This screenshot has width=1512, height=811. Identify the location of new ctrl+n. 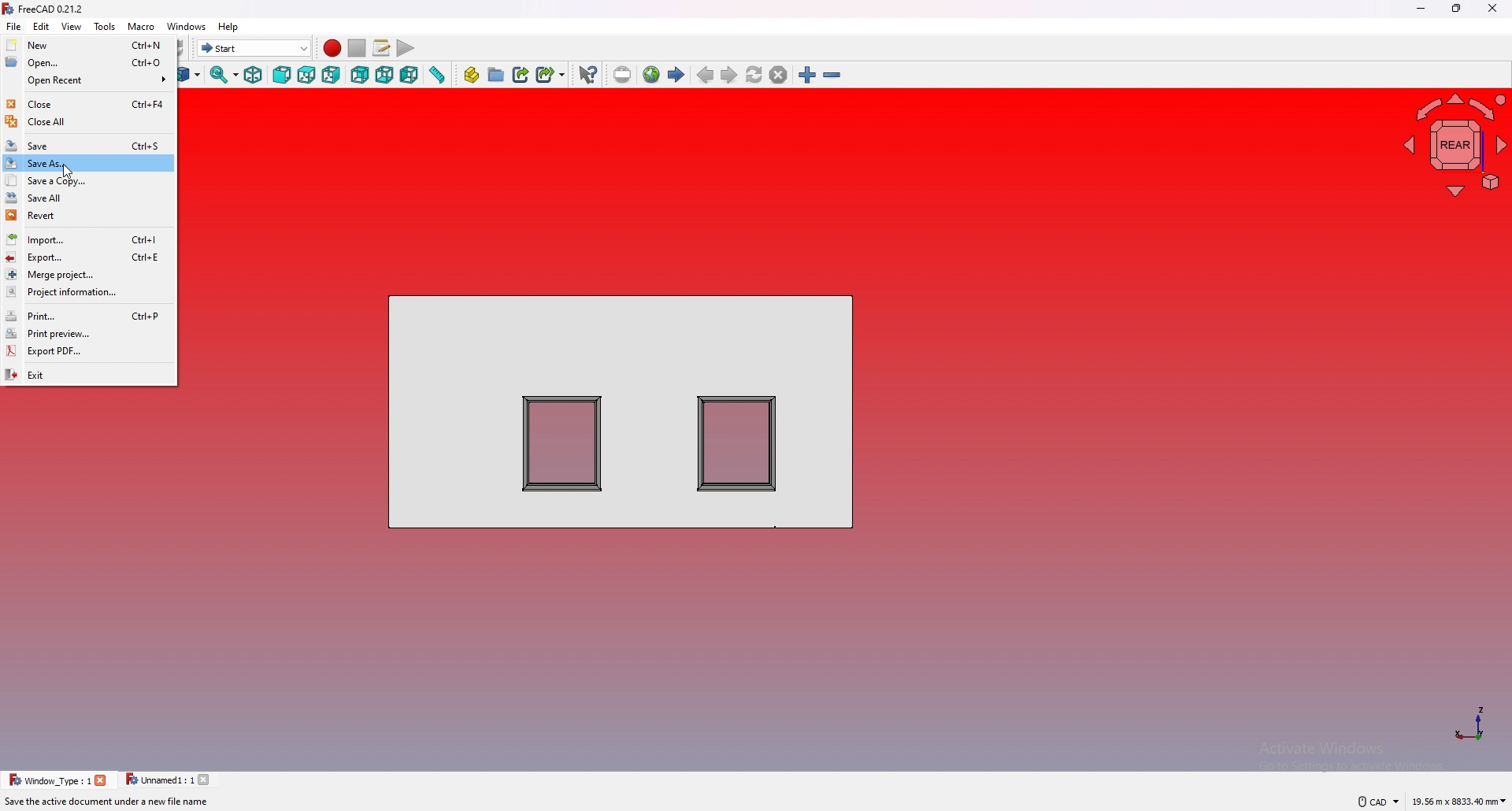
(89, 44).